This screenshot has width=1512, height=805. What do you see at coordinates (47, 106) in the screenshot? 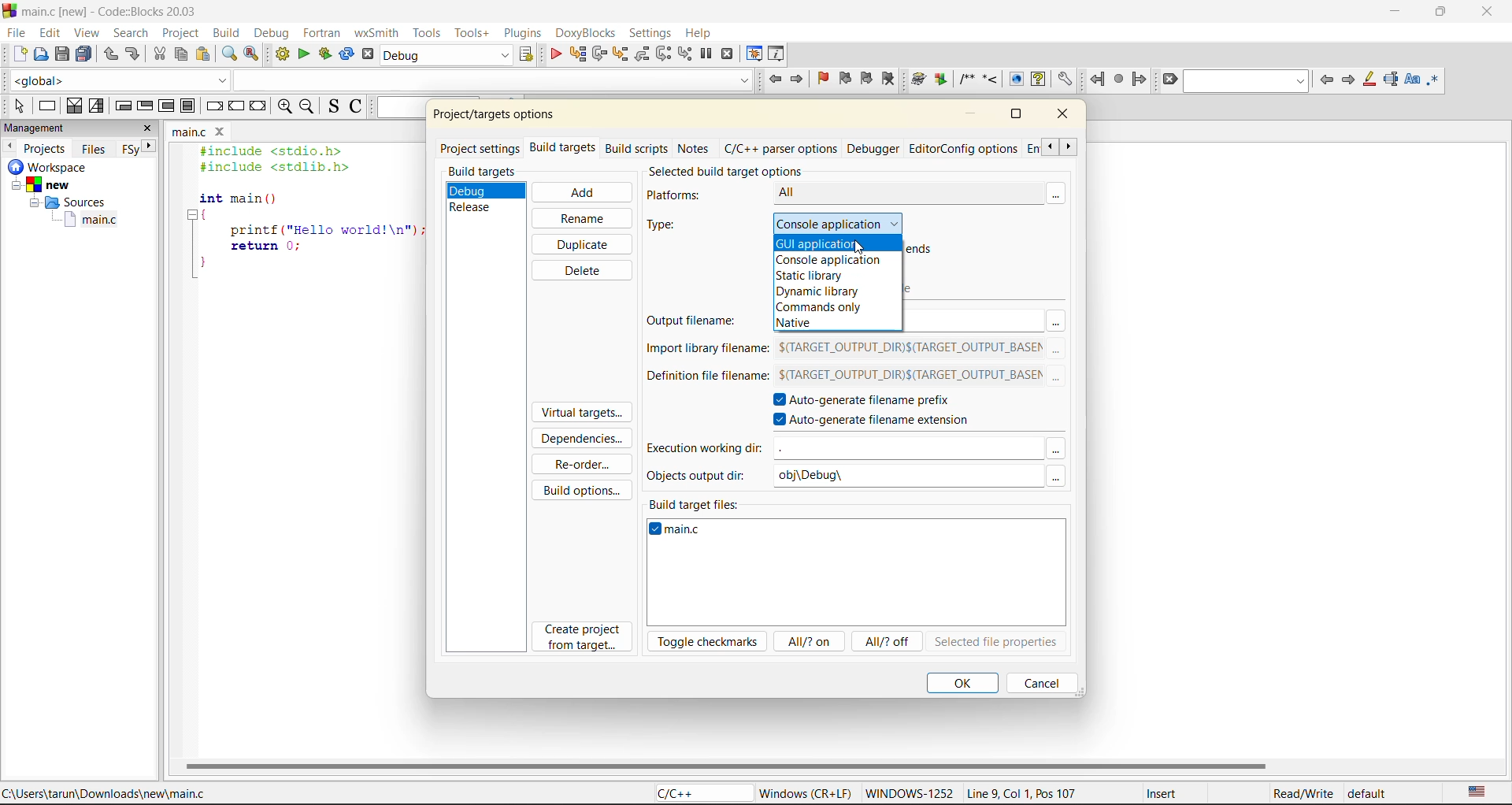
I see `instruction` at bounding box center [47, 106].